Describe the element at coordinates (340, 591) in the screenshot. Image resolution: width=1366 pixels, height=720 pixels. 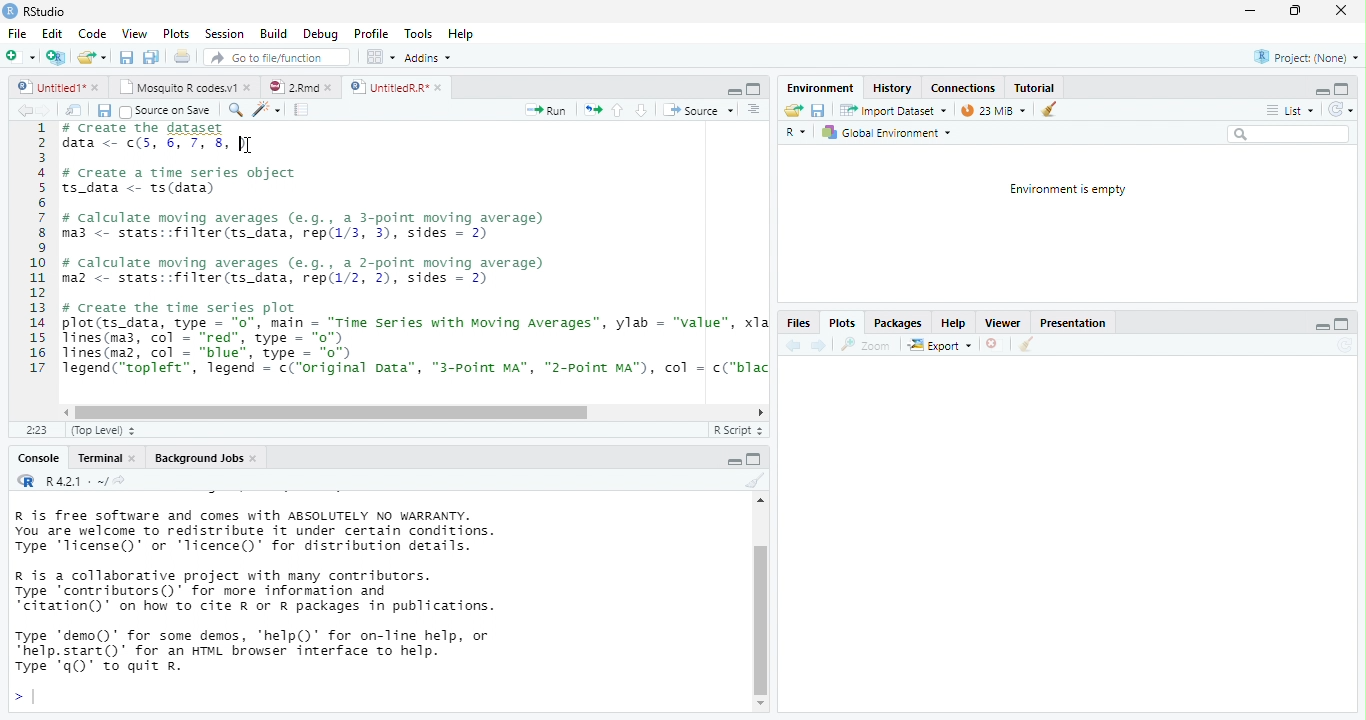
I see `R is free software and comes with ABSOLUTELY NO WARRANTY.
You are welcome to redistribute it under certain conditions.
Type 'Ticense()' or "Ticence()' for distribution details.

R is a collaborative project with many contributors.

Type contributors()’ for more information and

“citation()’ on how to cite R or R packages in publications.
Type "demo()’ for some demos, 'help()’ for on-Tine help, or
*help.start()’ for an HTML browser interface to help.

Type 'q()’ to quit R.` at that location.